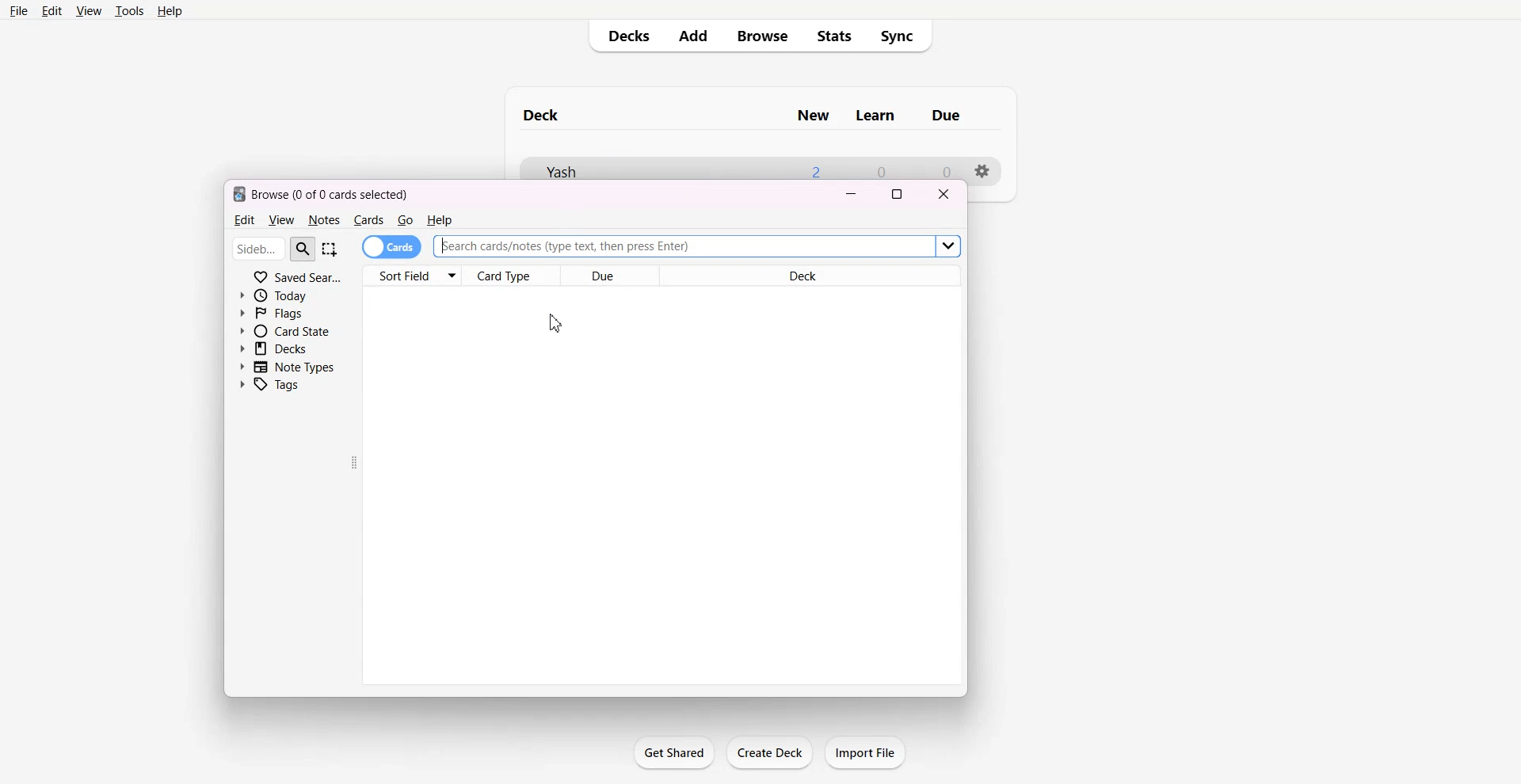  What do you see at coordinates (833, 36) in the screenshot?
I see `Stats` at bounding box center [833, 36].